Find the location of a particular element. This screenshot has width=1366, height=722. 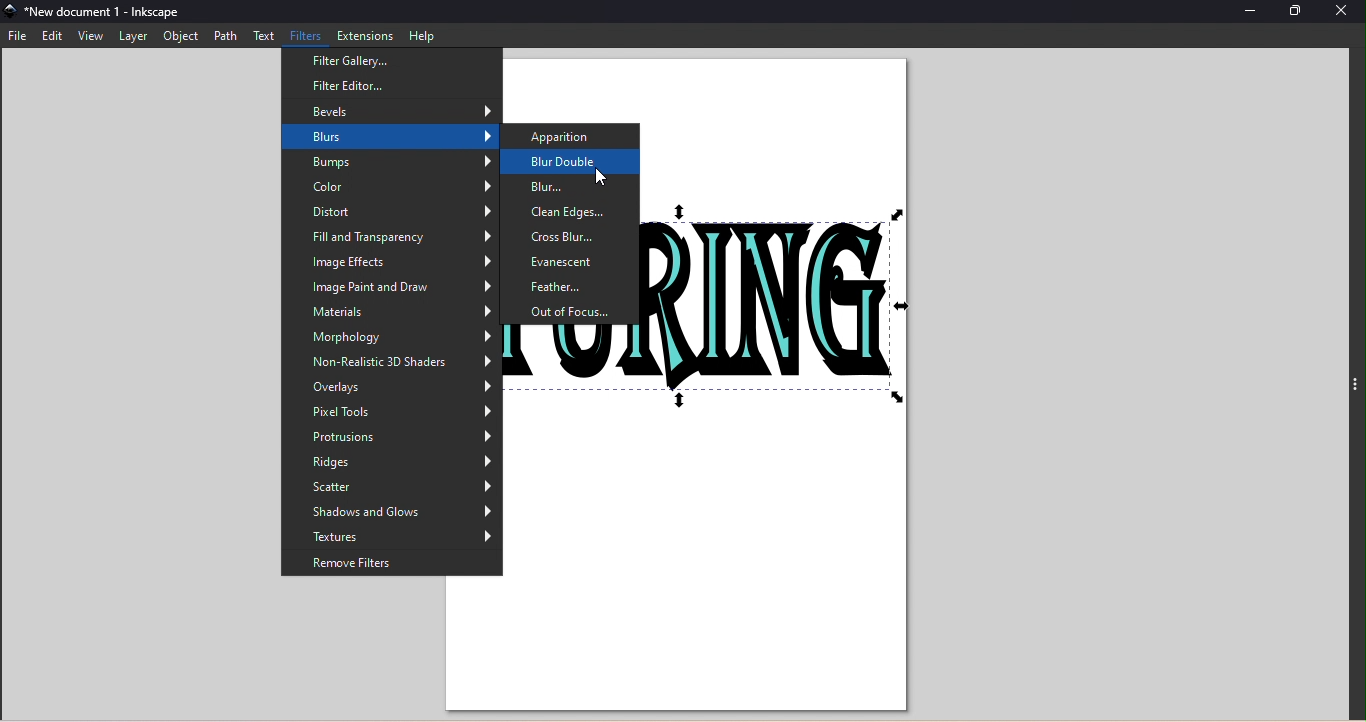

Pixel tools is located at coordinates (392, 413).